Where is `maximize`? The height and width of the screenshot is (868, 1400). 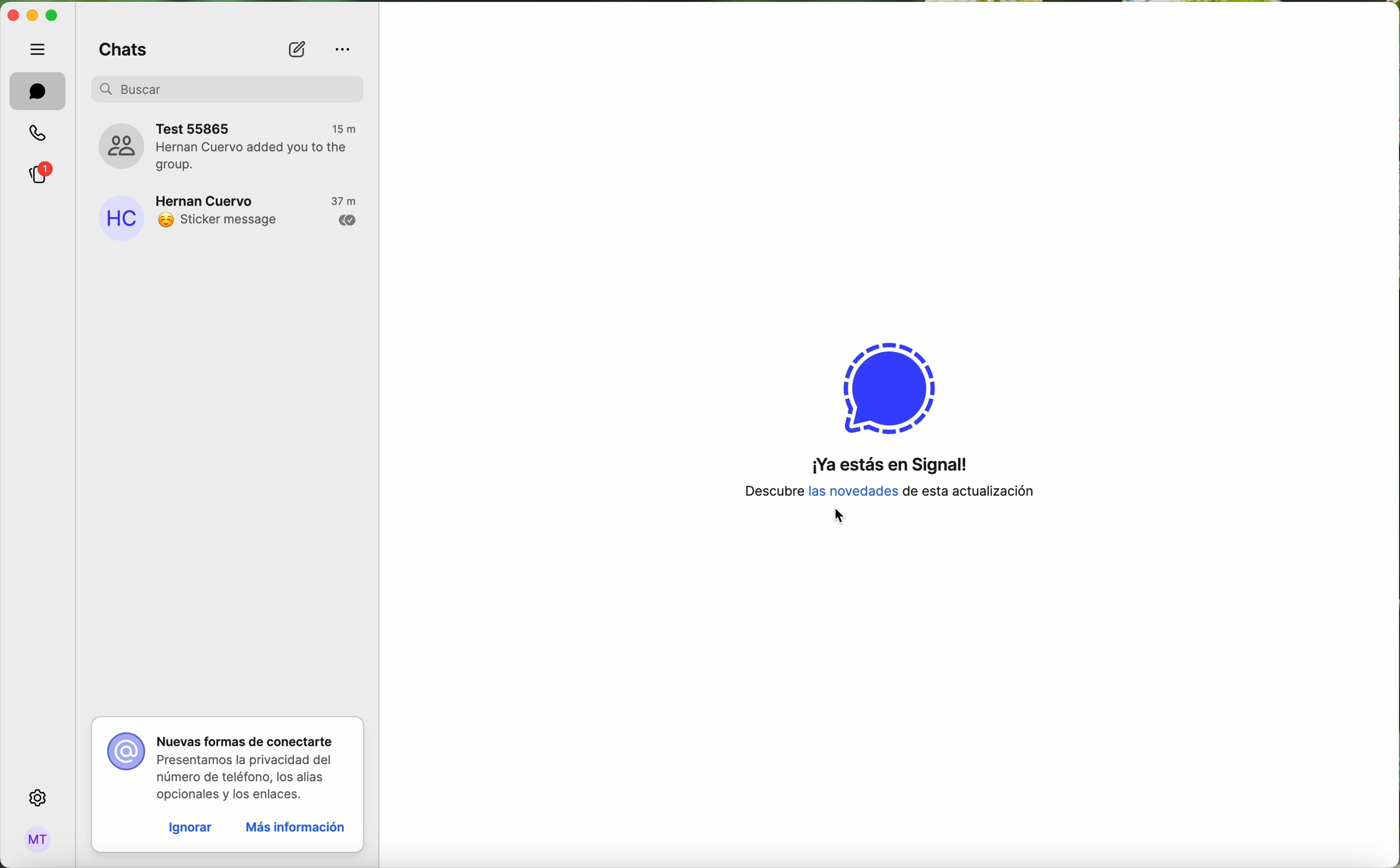 maximize is located at coordinates (52, 15).